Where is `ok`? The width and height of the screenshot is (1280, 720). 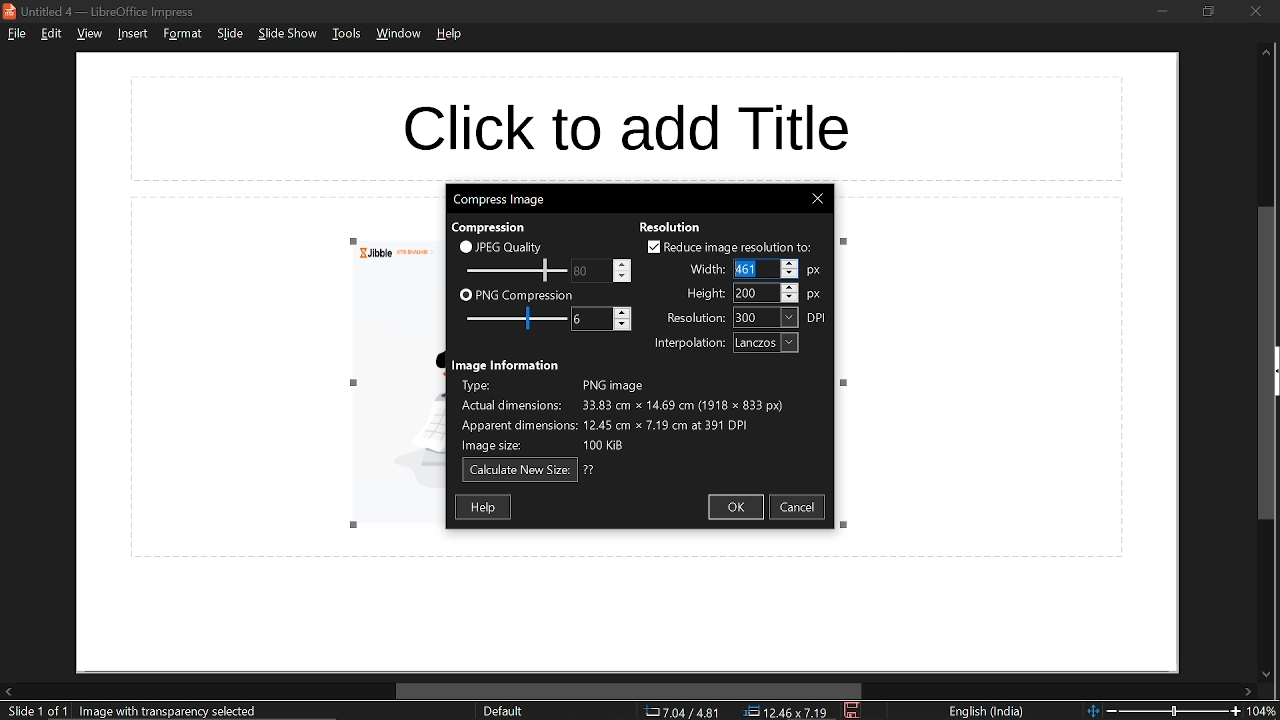
ok is located at coordinates (738, 508).